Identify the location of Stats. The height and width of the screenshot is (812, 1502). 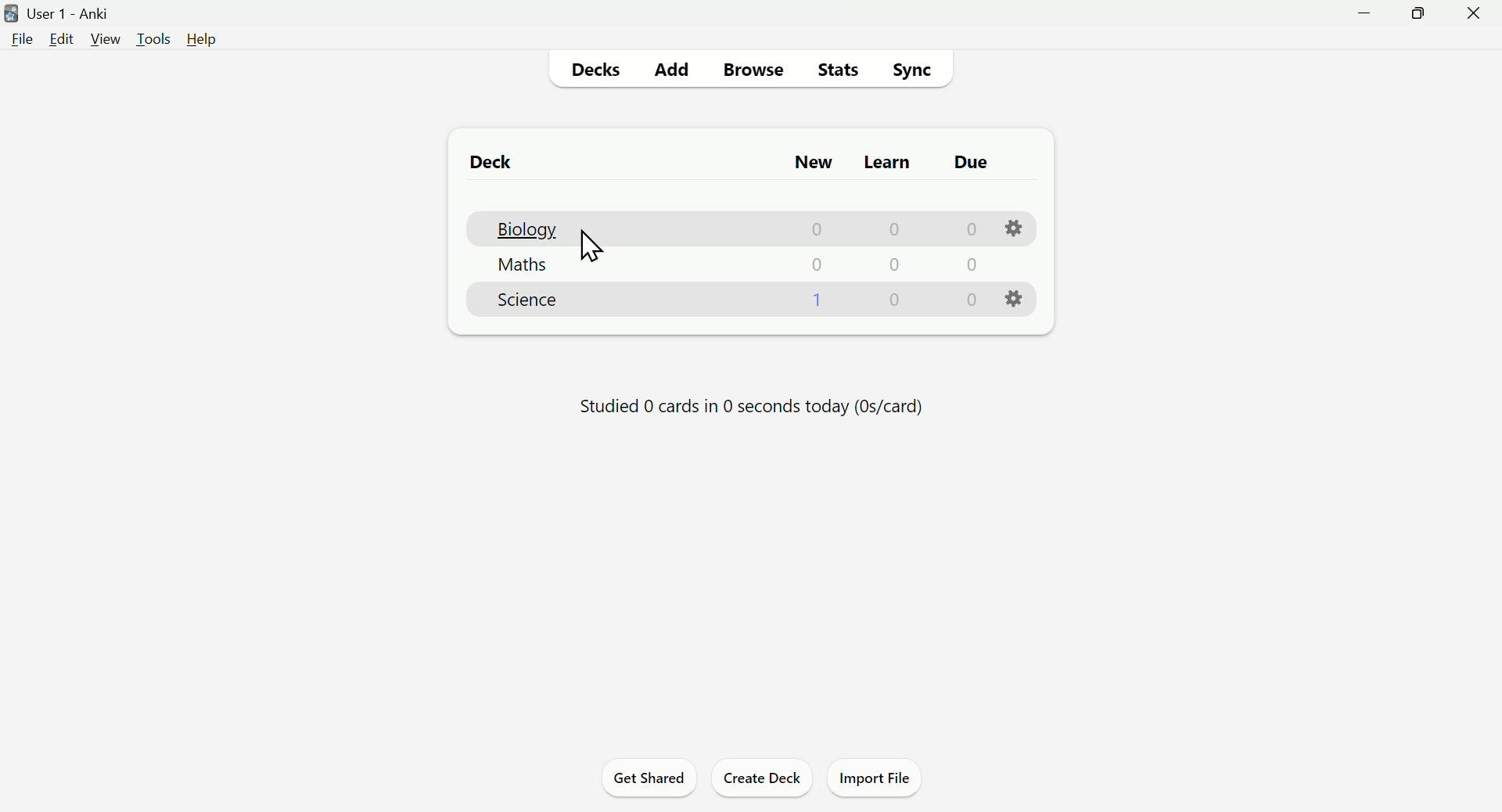
(839, 68).